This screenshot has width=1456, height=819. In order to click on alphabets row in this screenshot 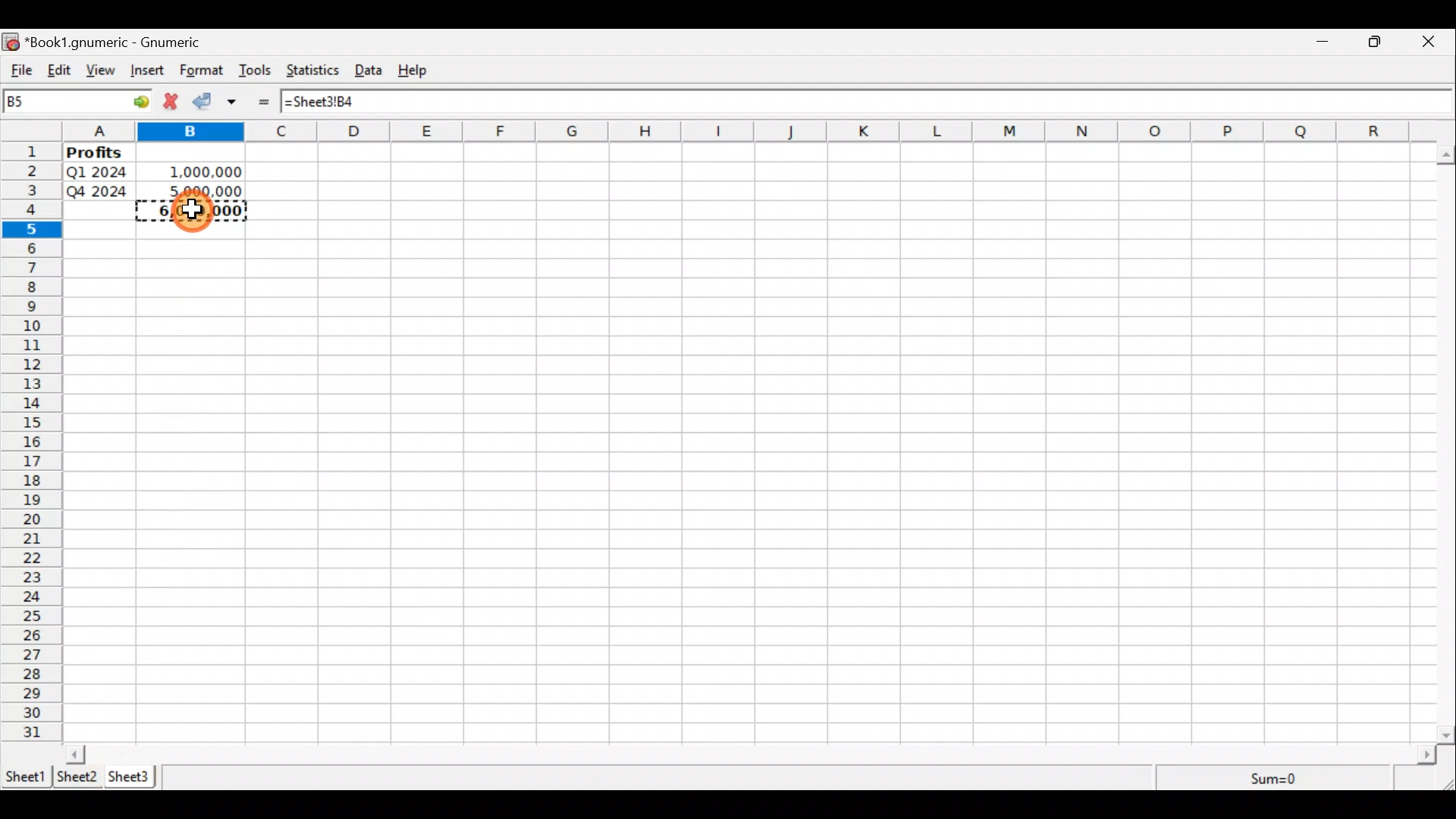, I will do `click(737, 132)`.